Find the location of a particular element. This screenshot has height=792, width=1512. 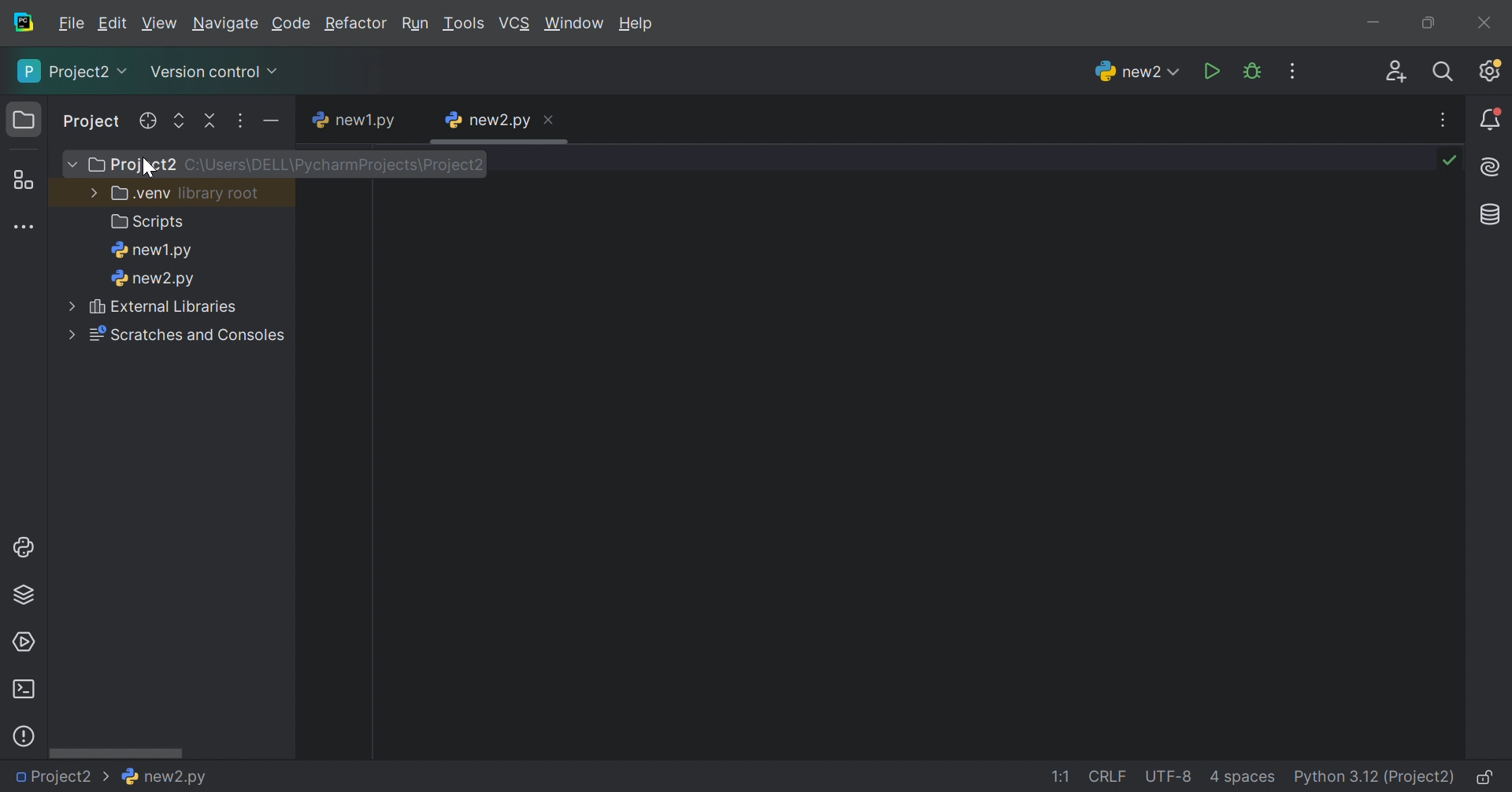

Code is located at coordinates (291, 24).